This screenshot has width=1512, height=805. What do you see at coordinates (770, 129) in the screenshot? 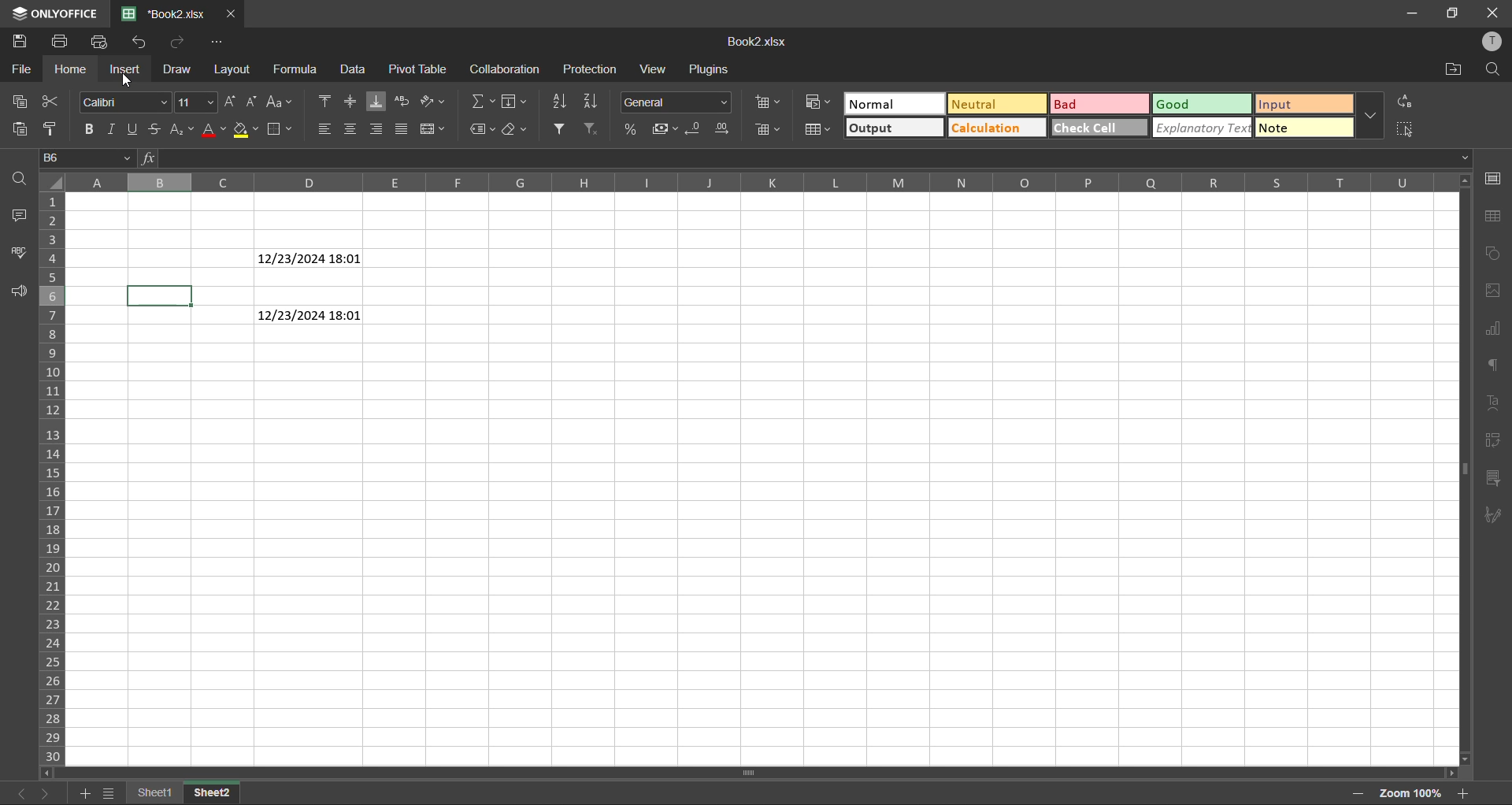
I see `delete cells` at bounding box center [770, 129].